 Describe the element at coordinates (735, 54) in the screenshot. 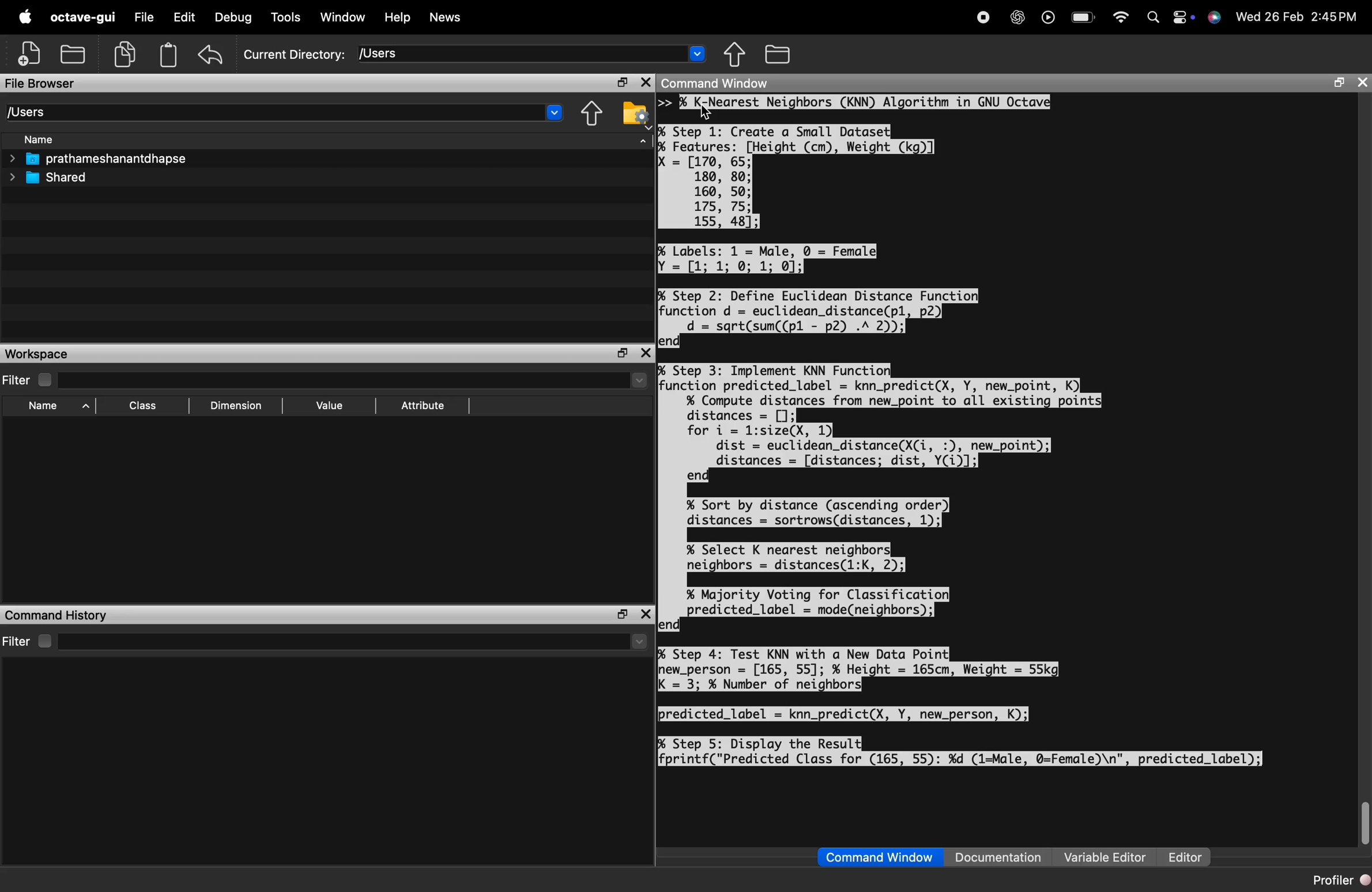

I see `move` at that location.